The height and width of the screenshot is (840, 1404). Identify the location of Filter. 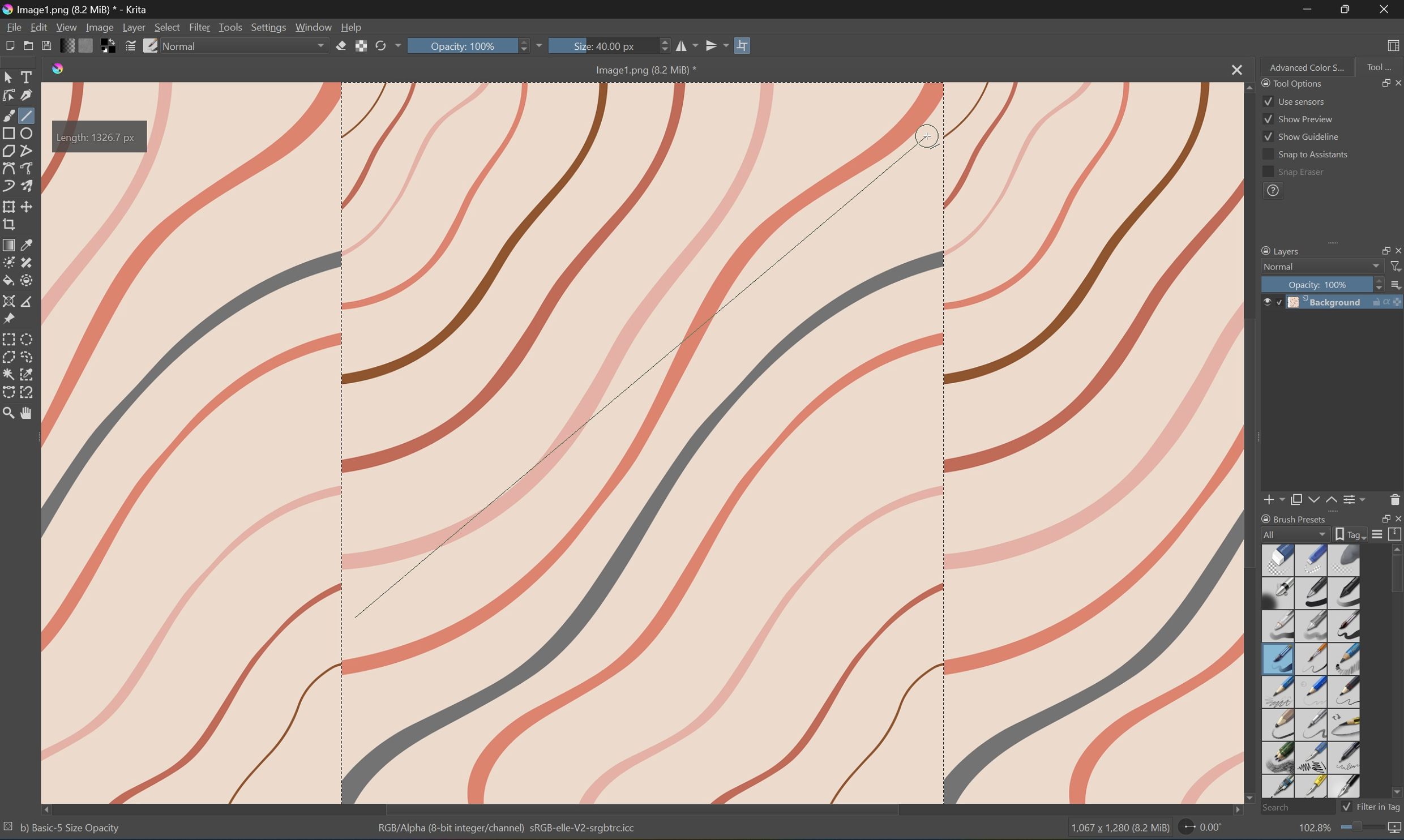
(200, 27).